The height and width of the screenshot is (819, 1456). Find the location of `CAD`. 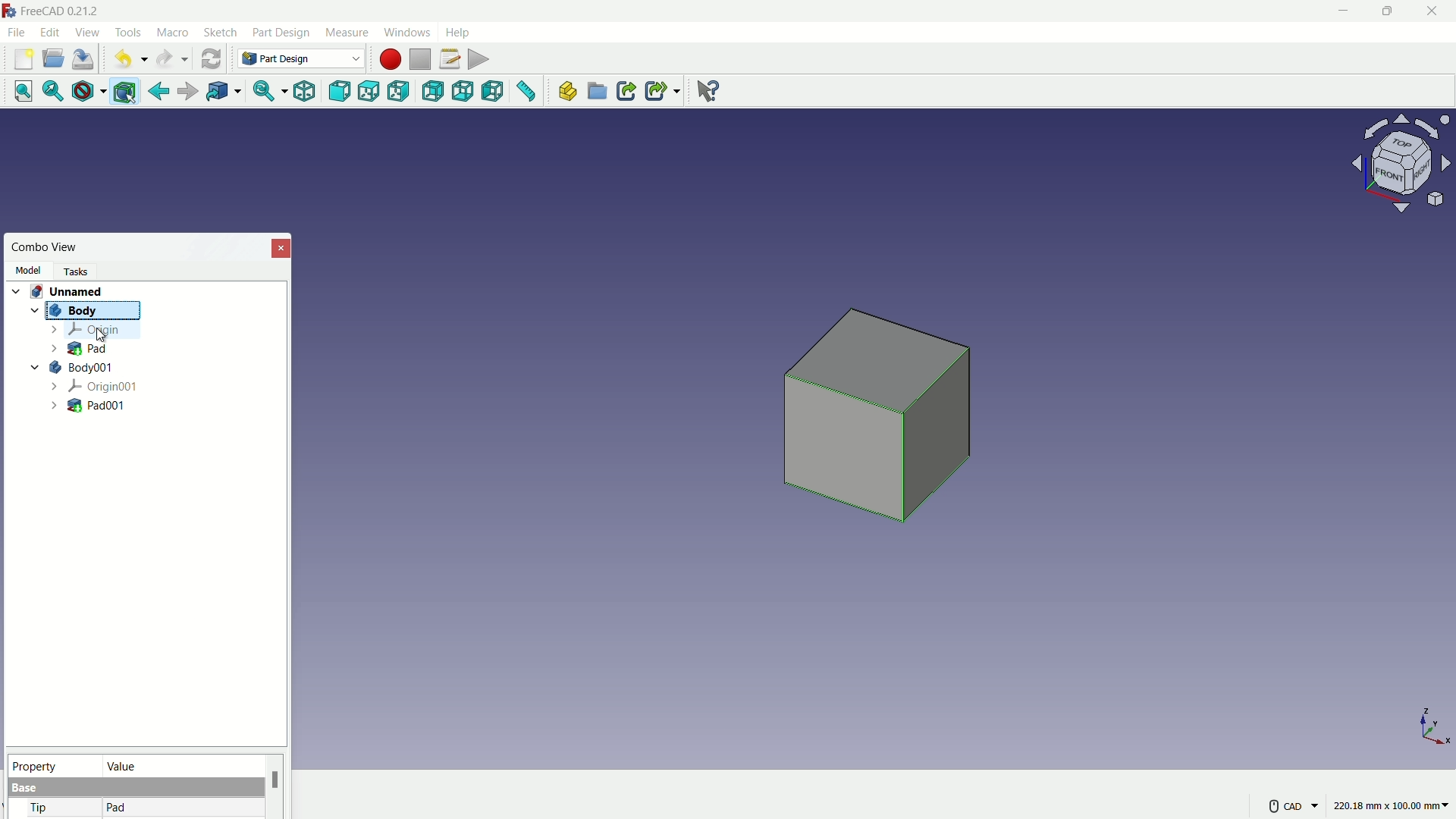

CAD is located at coordinates (1291, 805).